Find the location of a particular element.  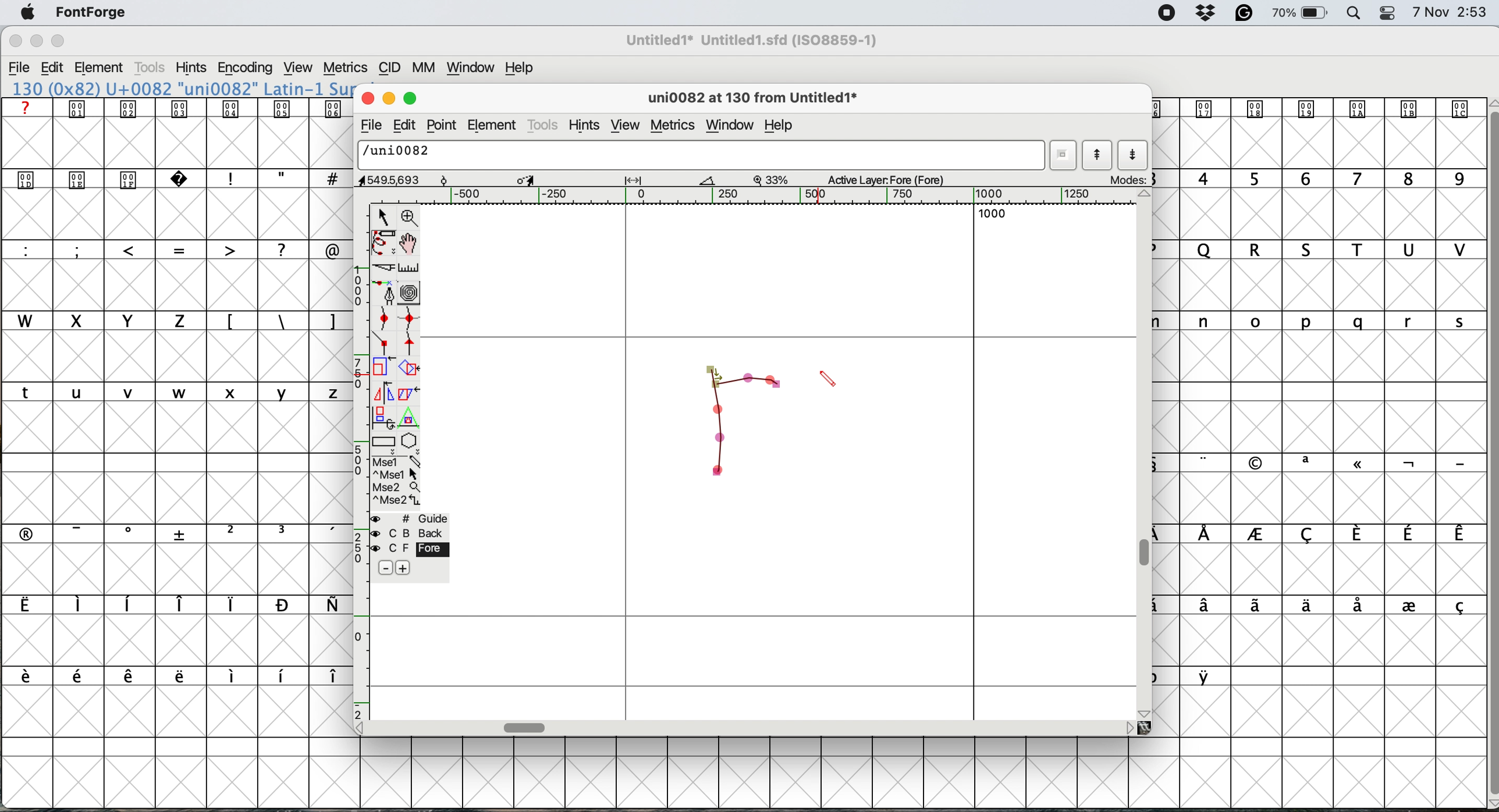

special icons is located at coordinates (177, 108).